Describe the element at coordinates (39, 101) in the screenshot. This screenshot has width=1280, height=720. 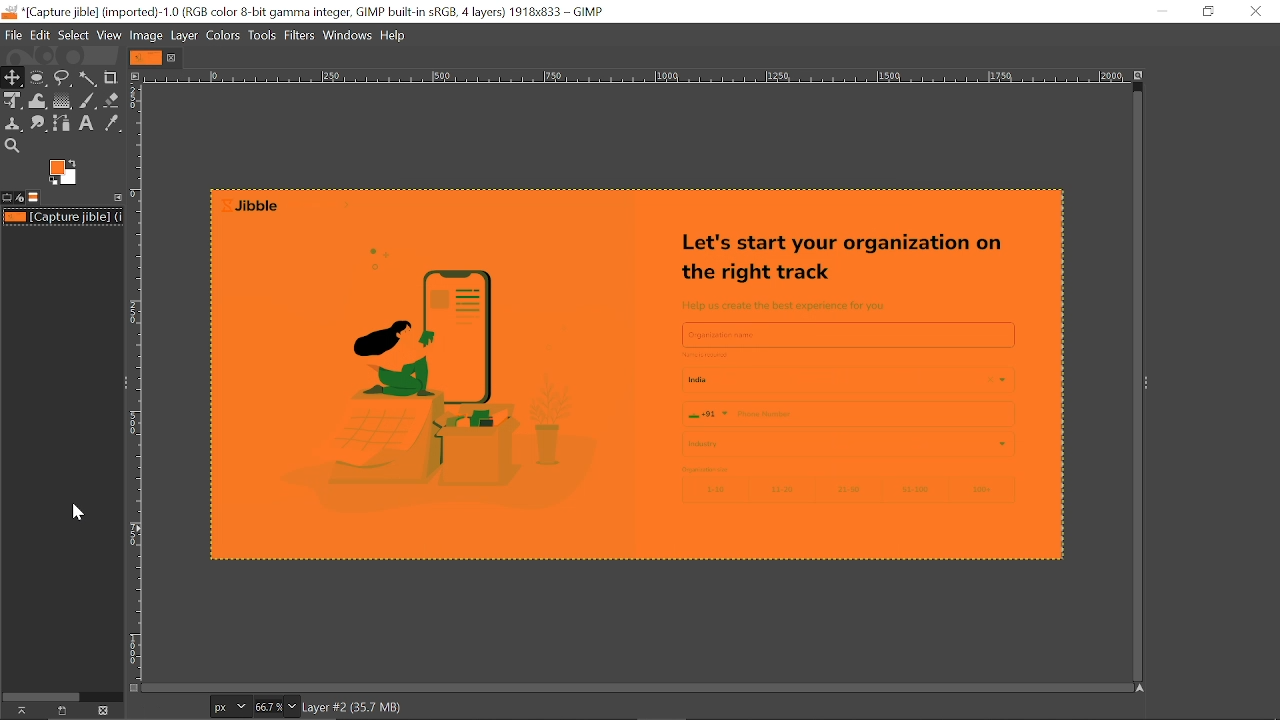
I see `Wrap text tool` at that location.